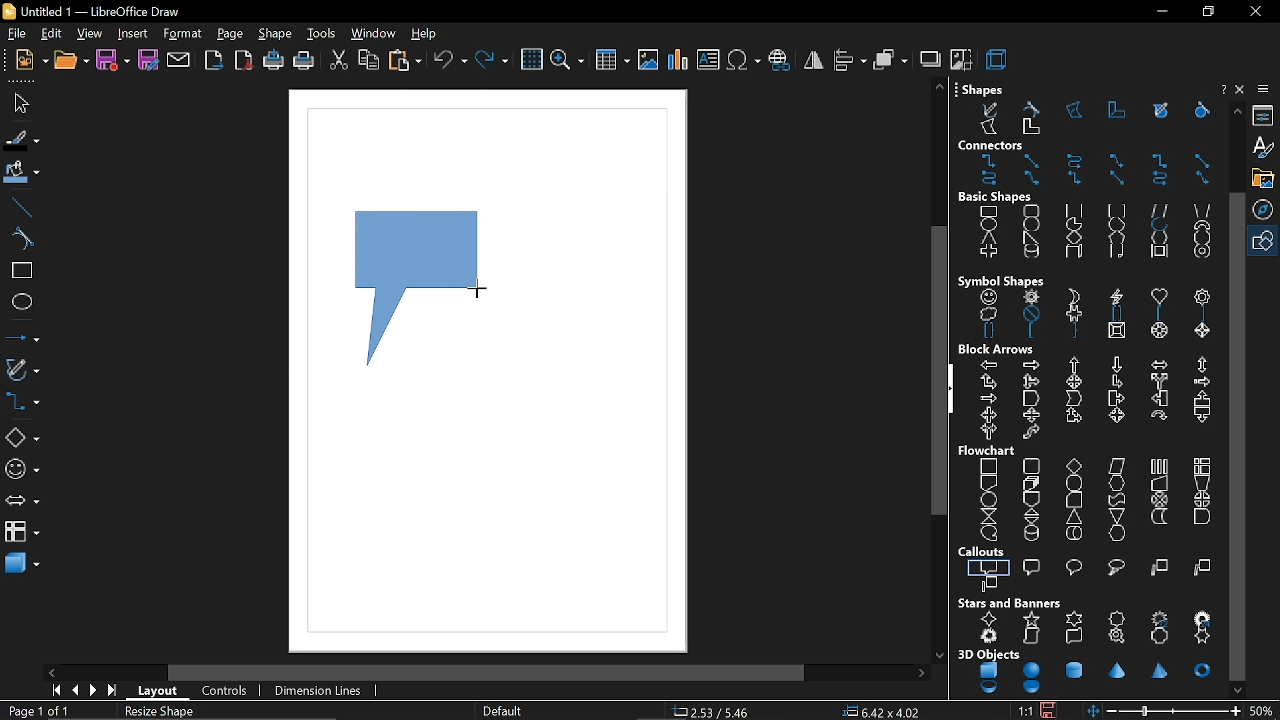  I want to click on double bracket, so click(1116, 316).